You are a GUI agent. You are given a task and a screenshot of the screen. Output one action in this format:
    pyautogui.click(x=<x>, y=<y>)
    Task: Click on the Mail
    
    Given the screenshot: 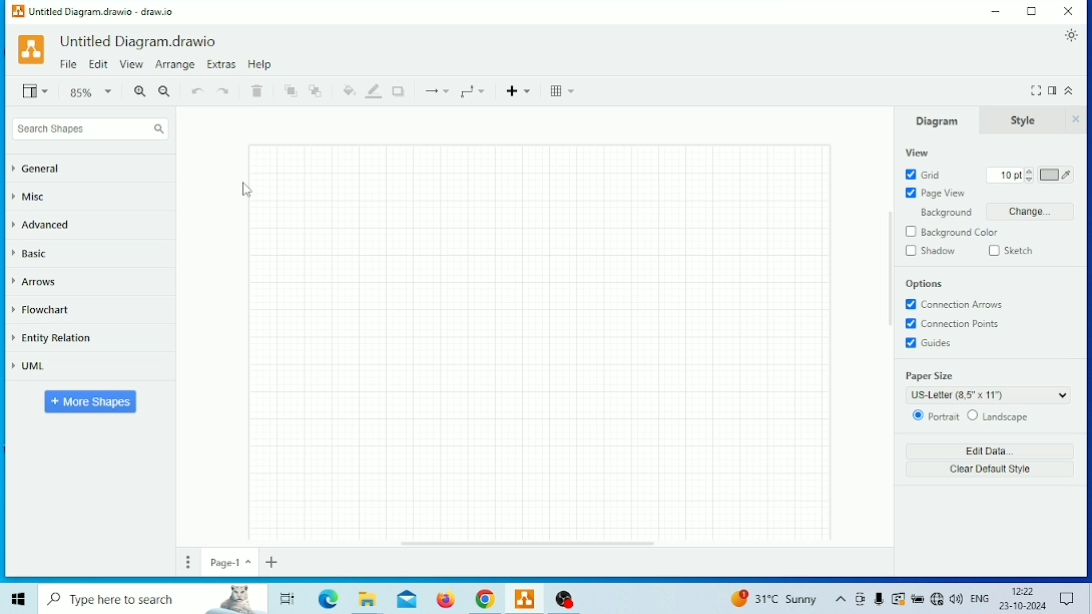 What is the action you would take?
    pyautogui.click(x=407, y=599)
    